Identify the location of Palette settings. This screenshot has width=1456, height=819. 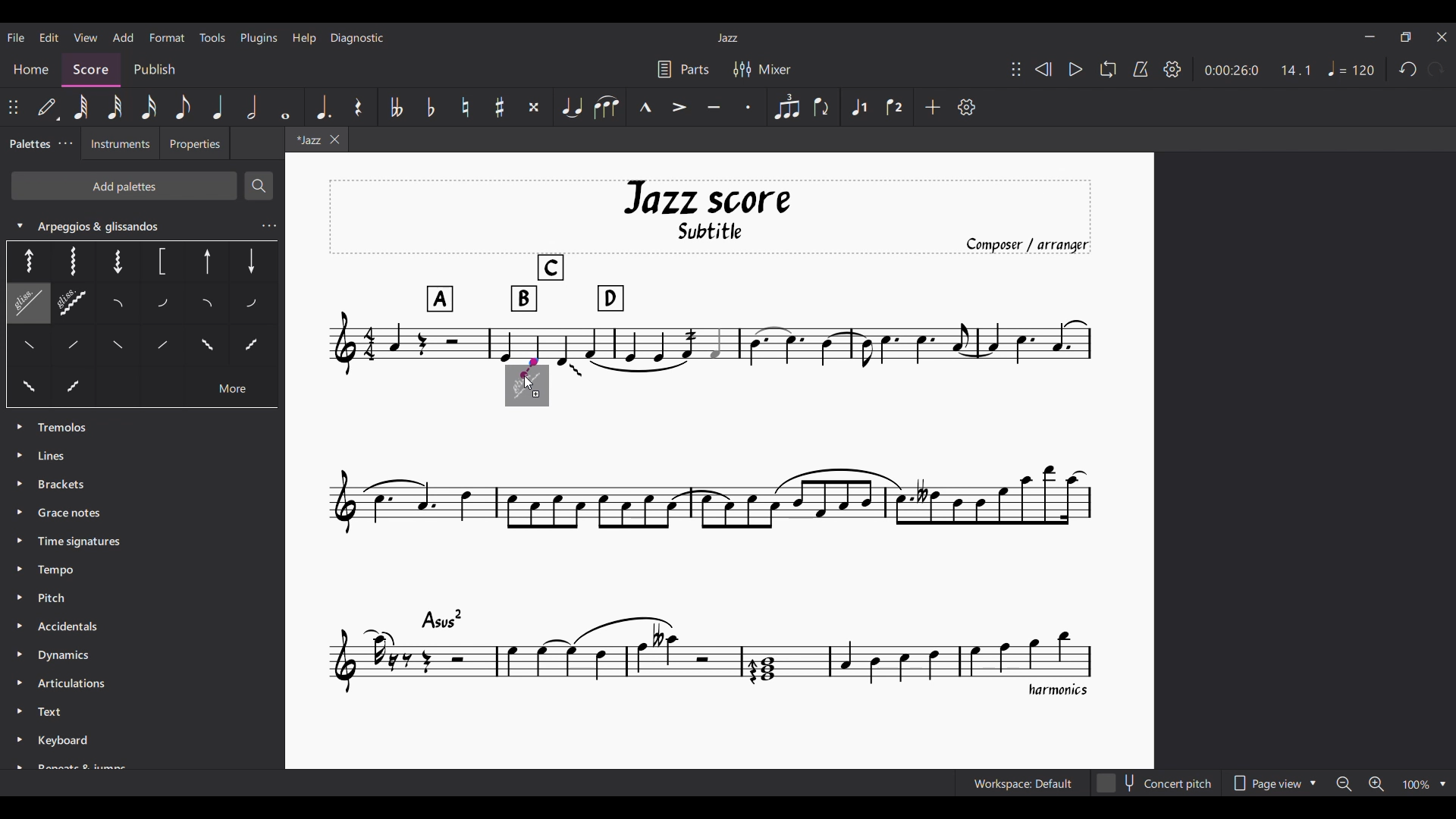
(65, 143).